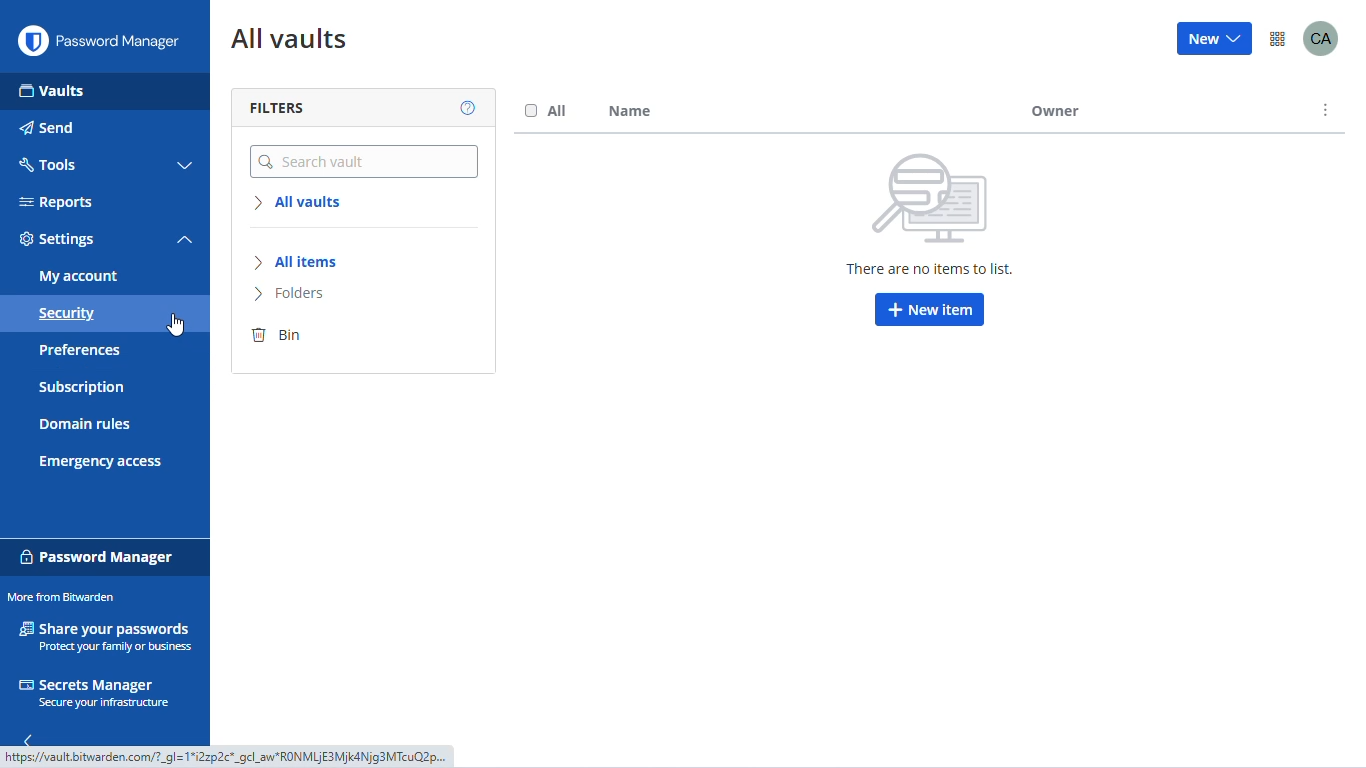  Describe the element at coordinates (277, 336) in the screenshot. I see `bin` at that location.